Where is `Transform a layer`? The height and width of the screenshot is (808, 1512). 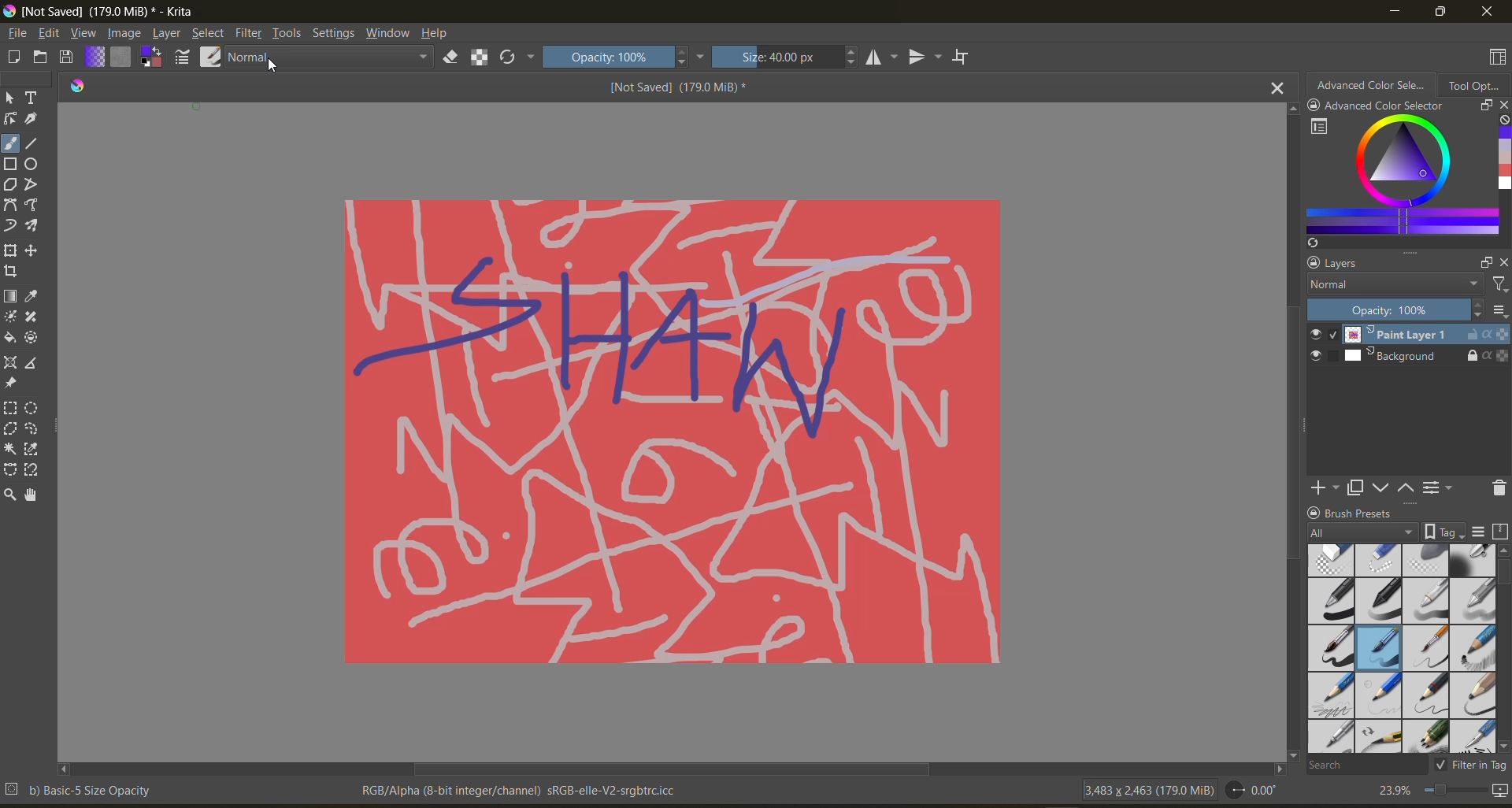
Transform a layer is located at coordinates (10, 250).